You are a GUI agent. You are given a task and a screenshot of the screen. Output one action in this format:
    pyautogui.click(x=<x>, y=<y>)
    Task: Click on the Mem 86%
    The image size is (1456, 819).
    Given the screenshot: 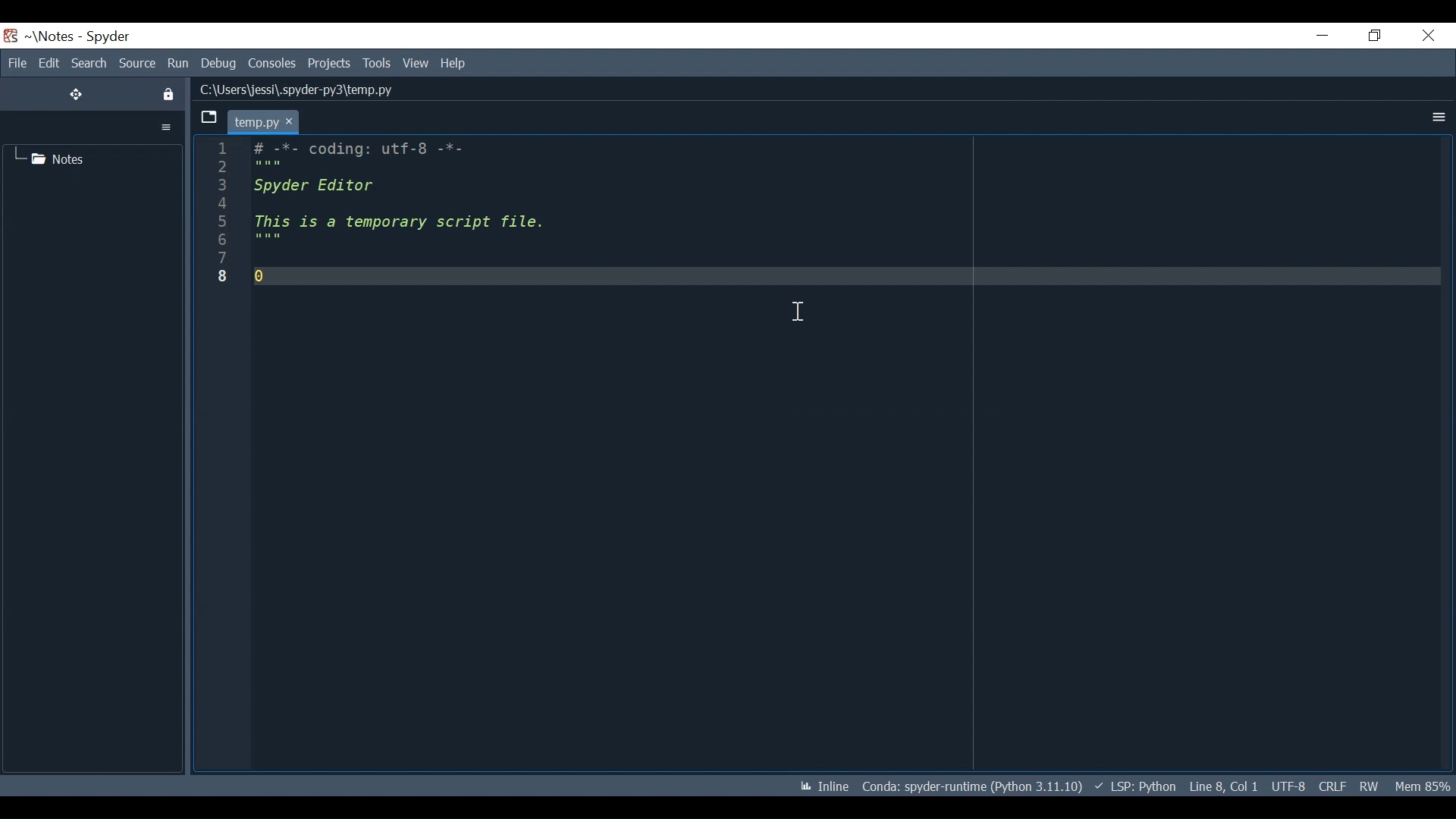 What is the action you would take?
    pyautogui.click(x=1423, y=787)
    